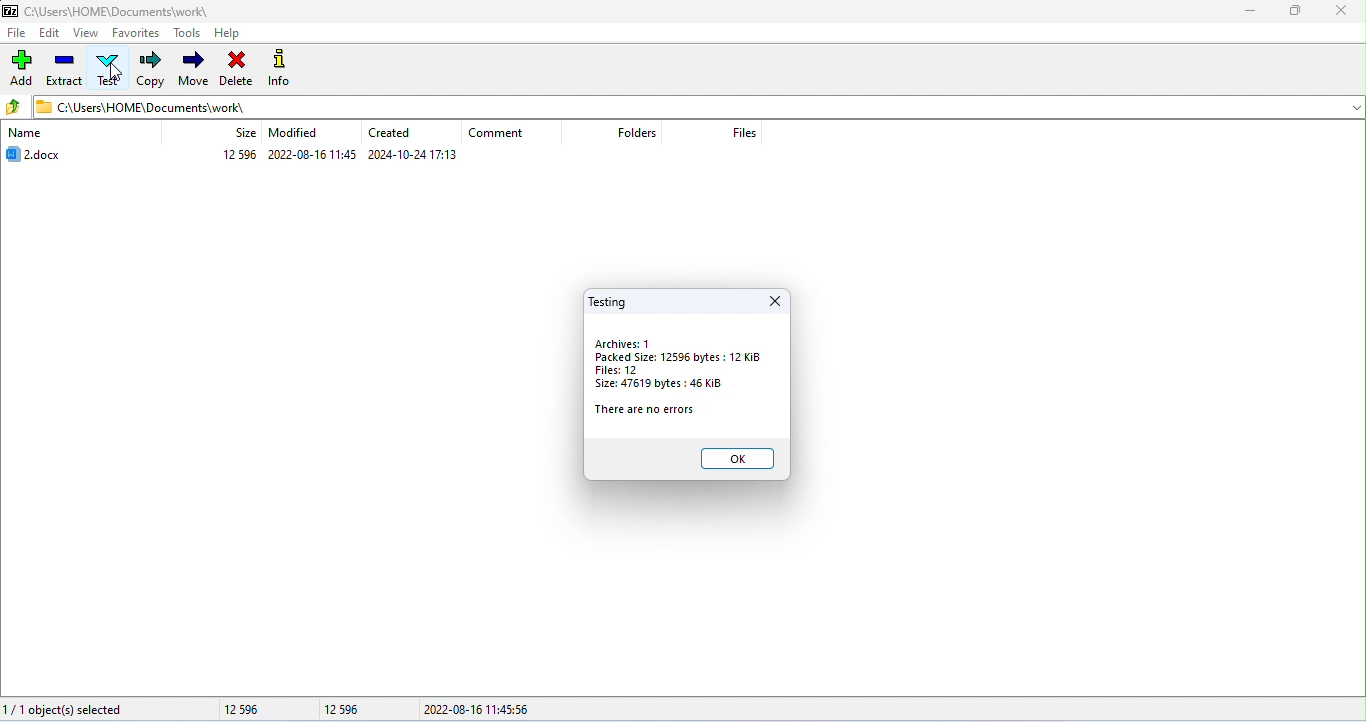 The height and width of the screenshot is (722, 1366). What do you see at coordinates (293, 133) in the screenshot?
I see `modified` at bounding box center [293, 133].